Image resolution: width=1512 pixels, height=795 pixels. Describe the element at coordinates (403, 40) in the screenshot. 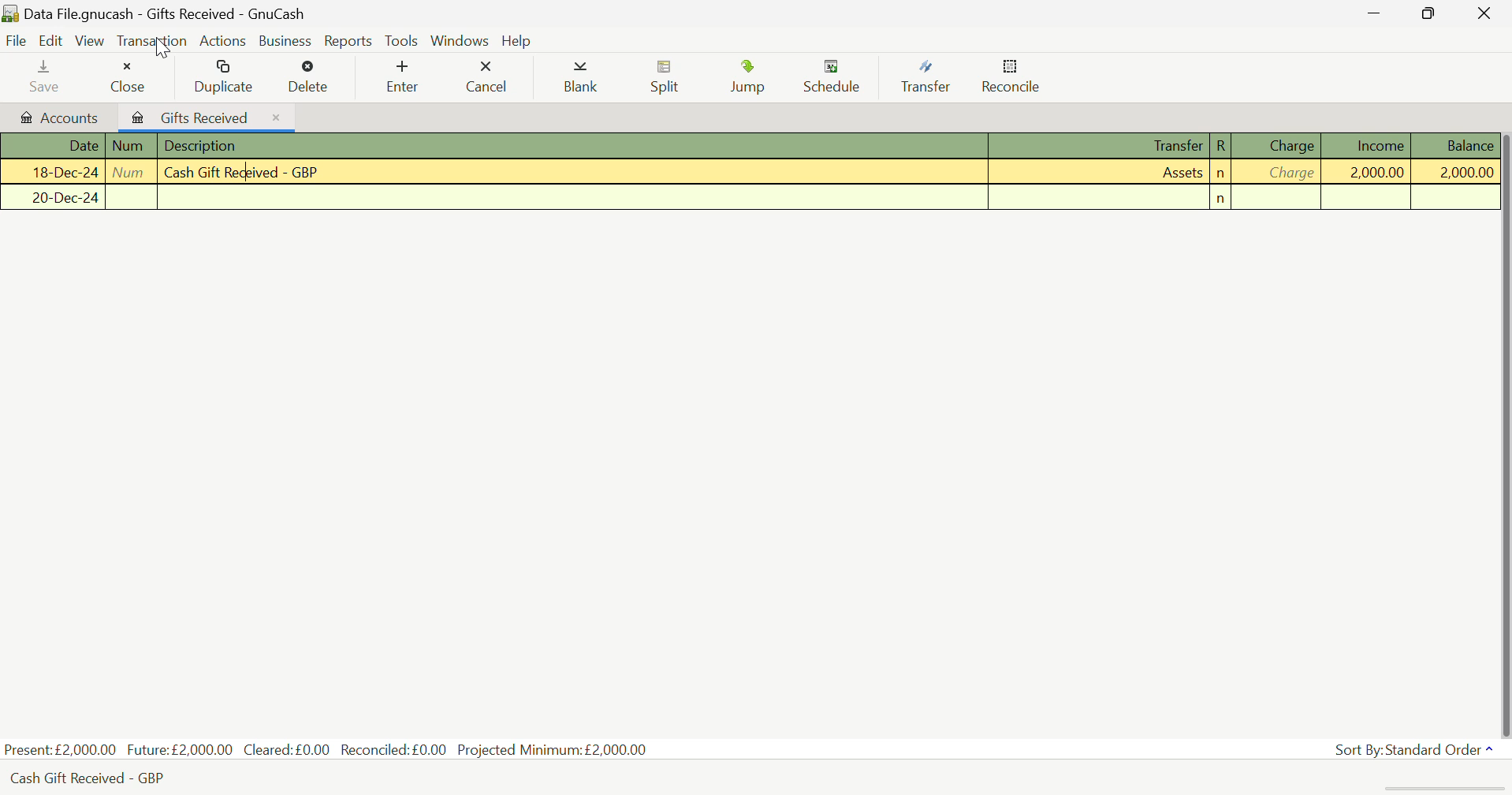

I see `Tools` at that location.